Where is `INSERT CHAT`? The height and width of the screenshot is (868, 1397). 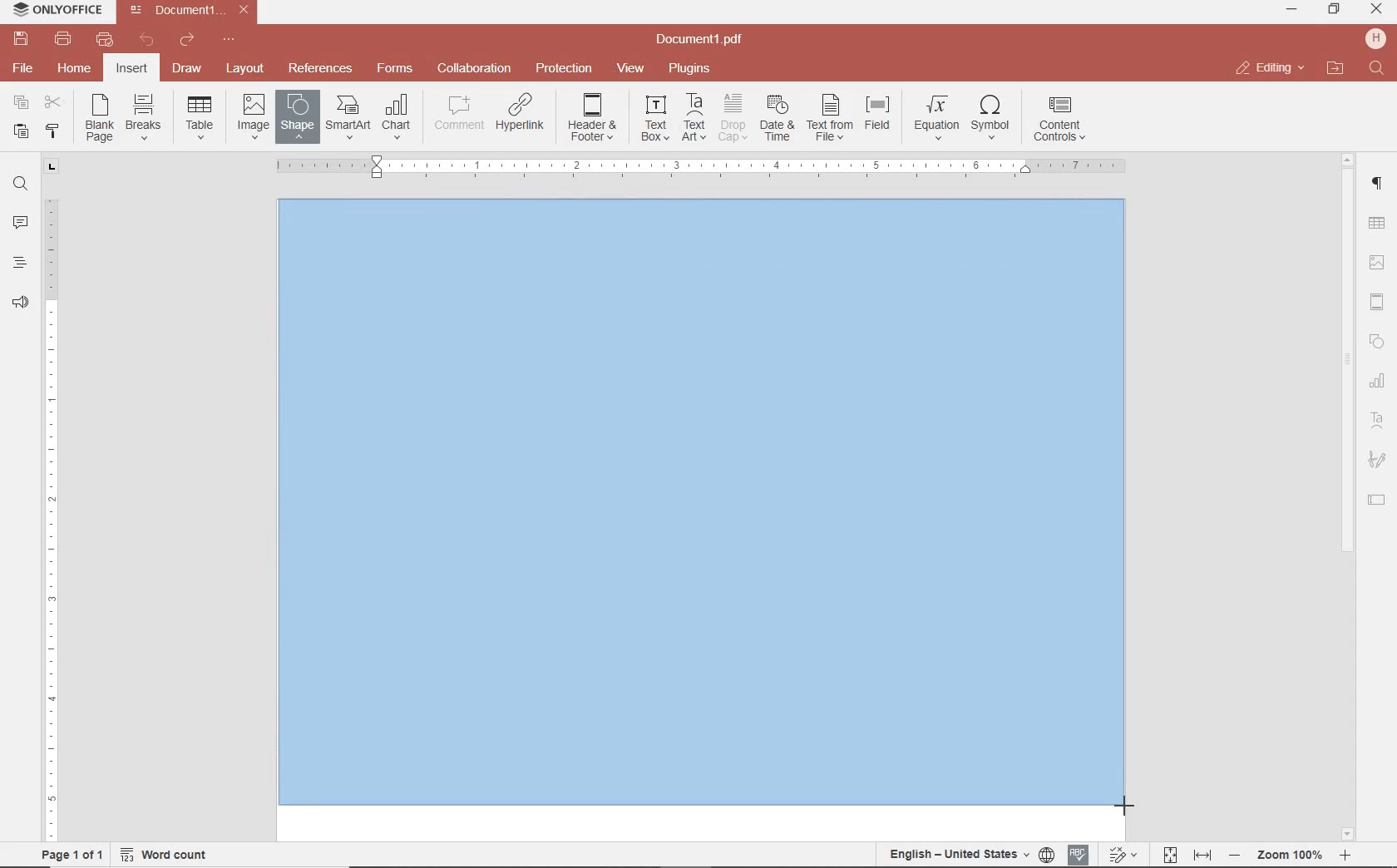
INSERT CHAT is located at coordinates (397, 118).